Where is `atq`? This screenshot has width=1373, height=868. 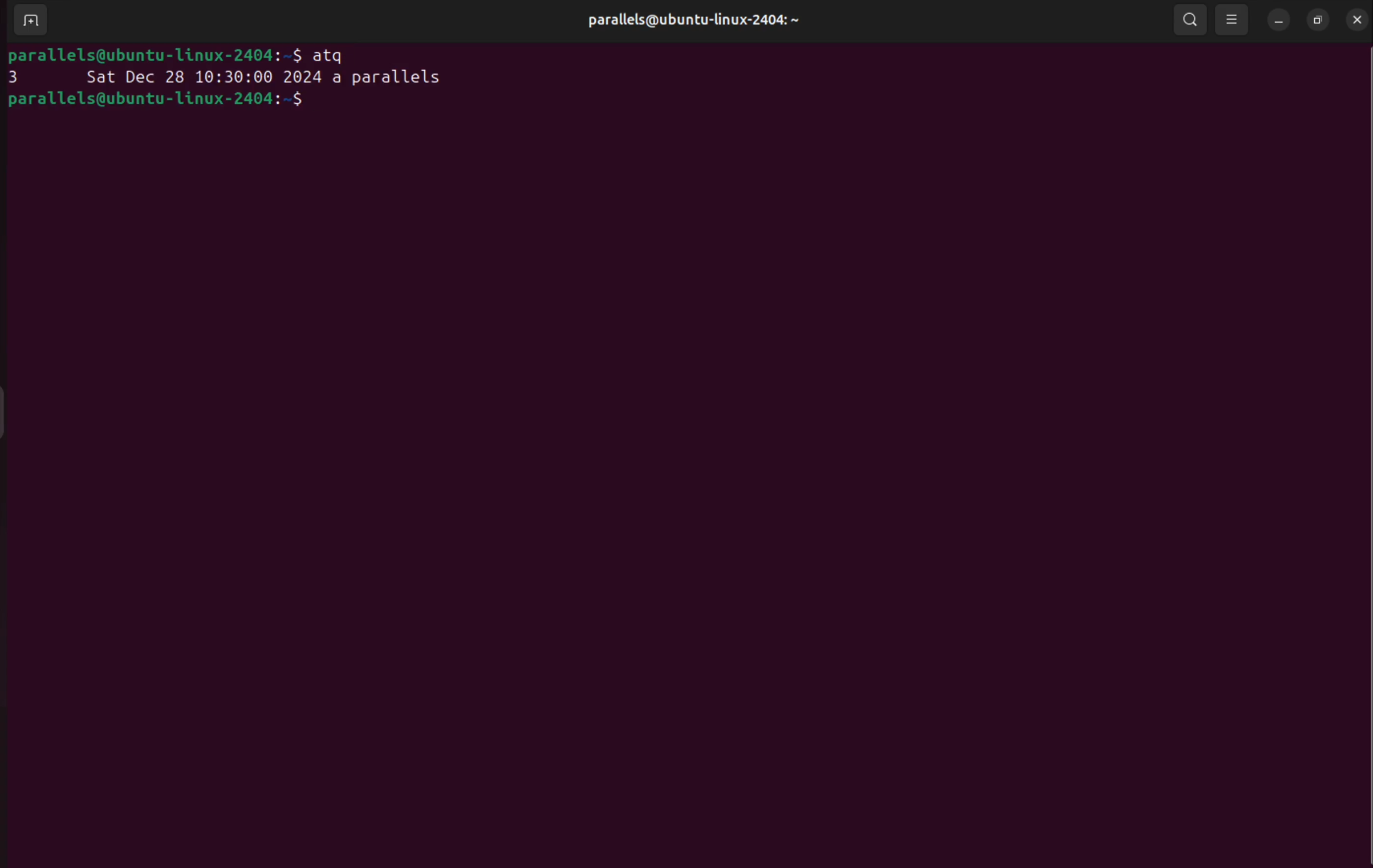 atq is located at coordinates (333, 54).